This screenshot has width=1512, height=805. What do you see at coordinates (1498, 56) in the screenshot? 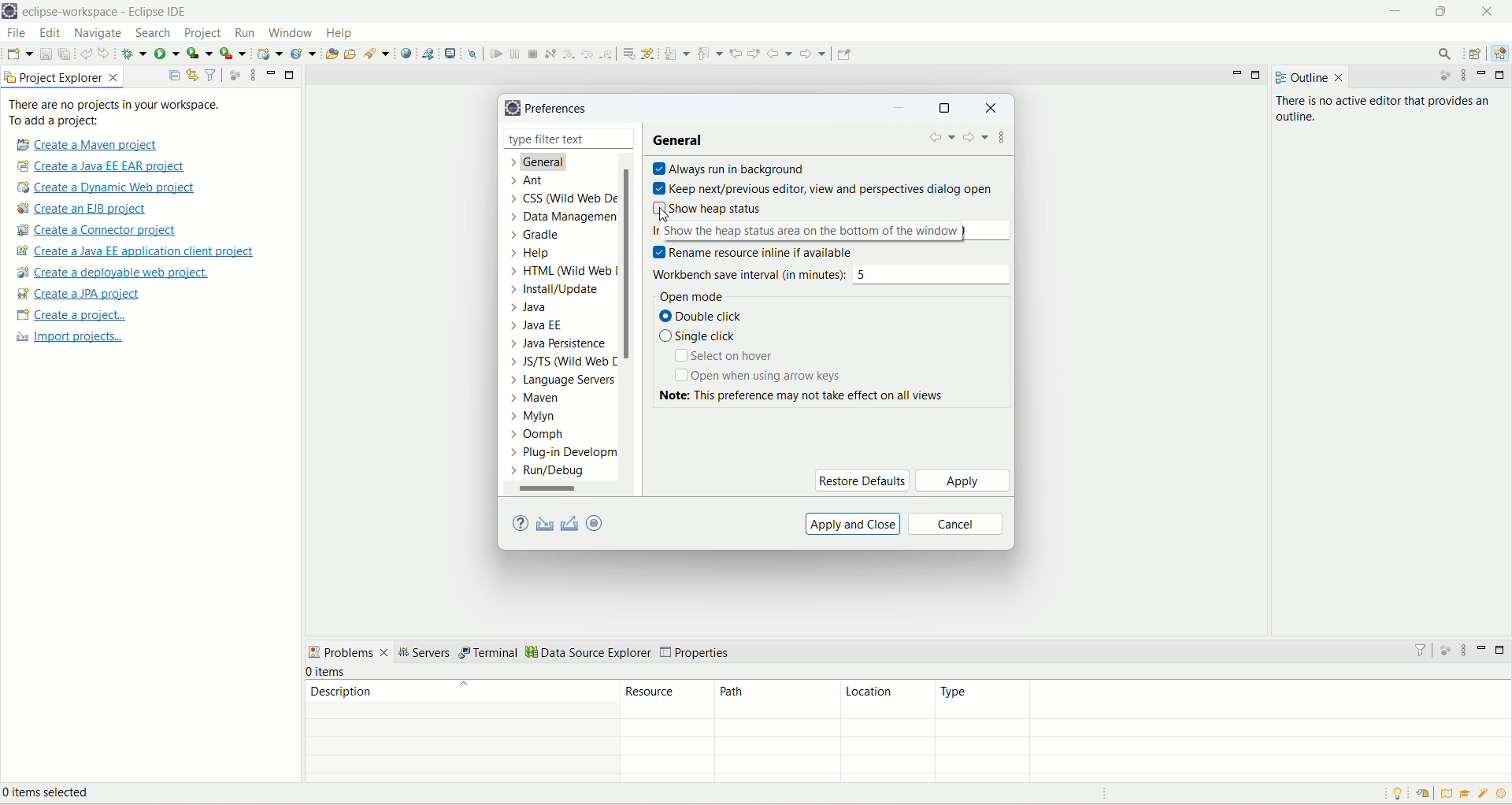
I see `Java EE` at bounding box center [1498, 56].